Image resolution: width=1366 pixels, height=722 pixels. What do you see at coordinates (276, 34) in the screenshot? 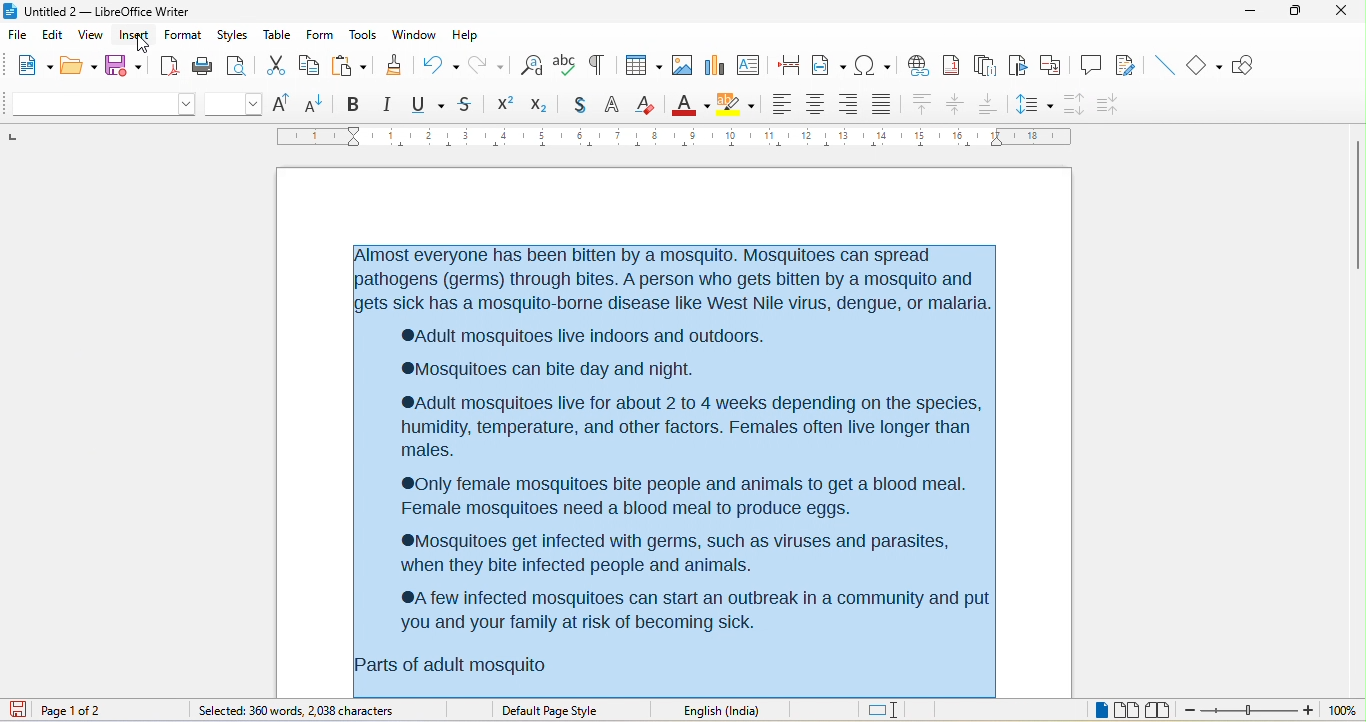
I see `table` at bounding box center [276, 34].